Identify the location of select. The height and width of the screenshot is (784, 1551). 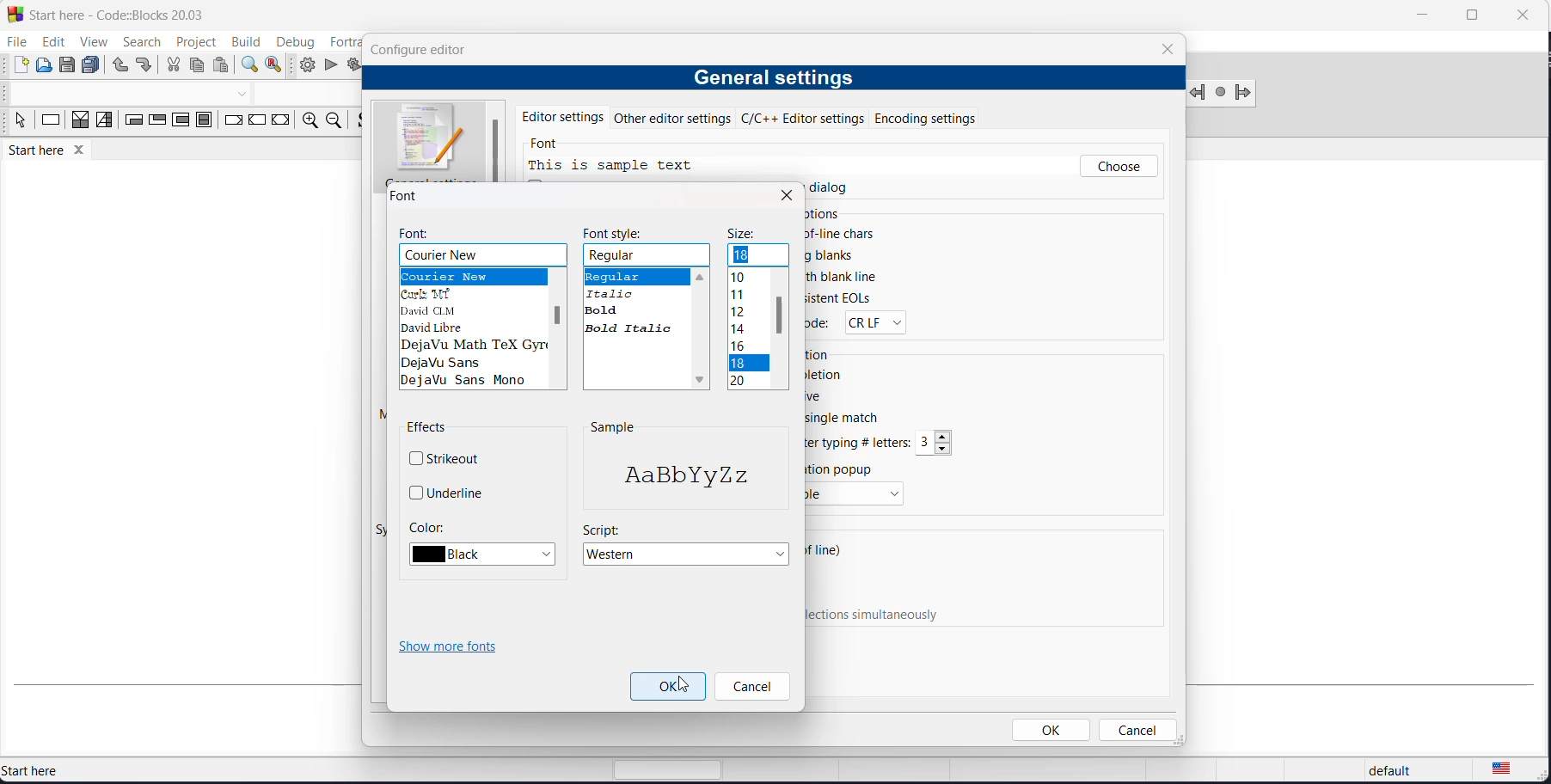
(17, 123).